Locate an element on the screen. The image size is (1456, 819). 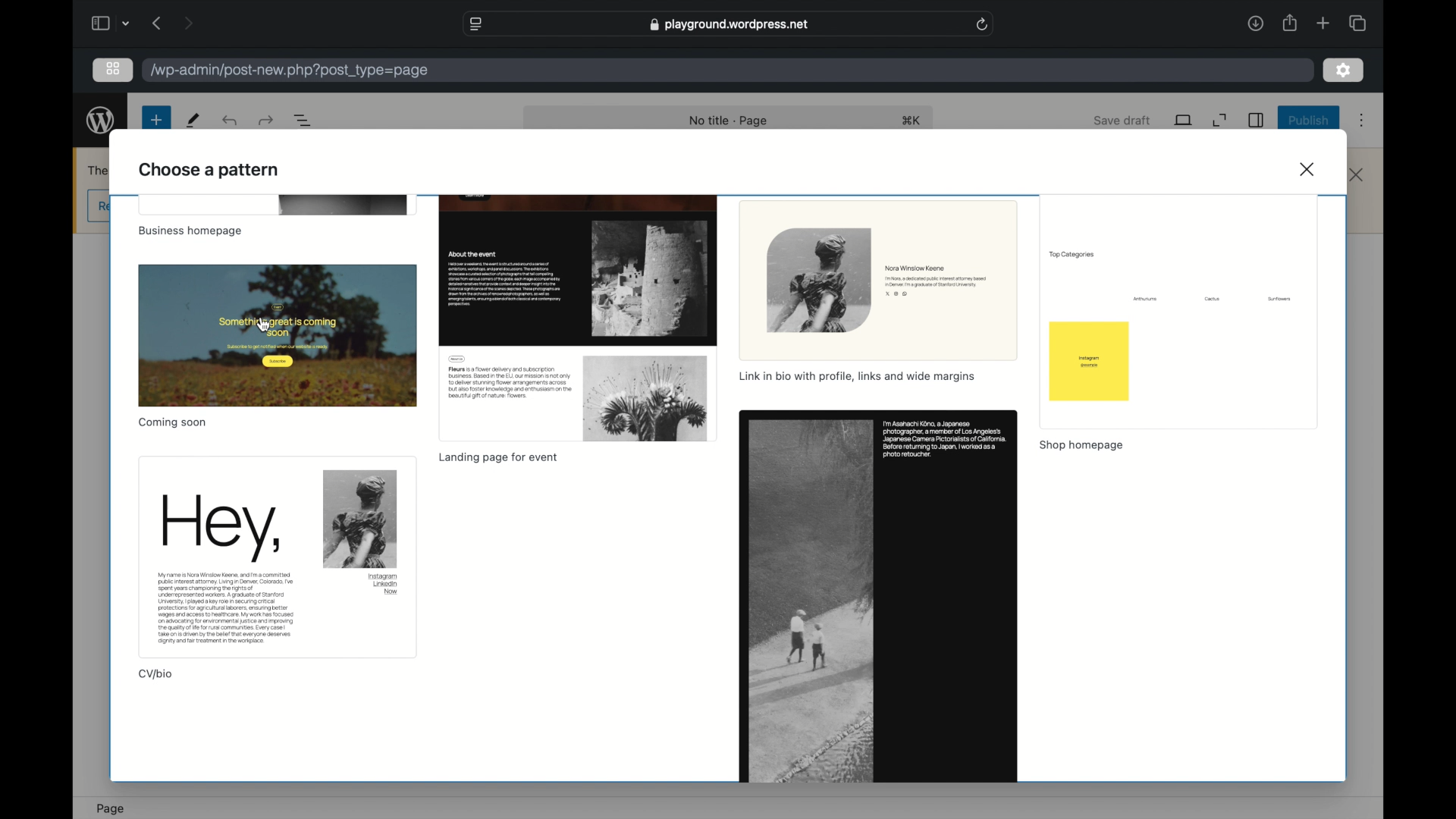
coming soon is located at coordinates (172, 422).